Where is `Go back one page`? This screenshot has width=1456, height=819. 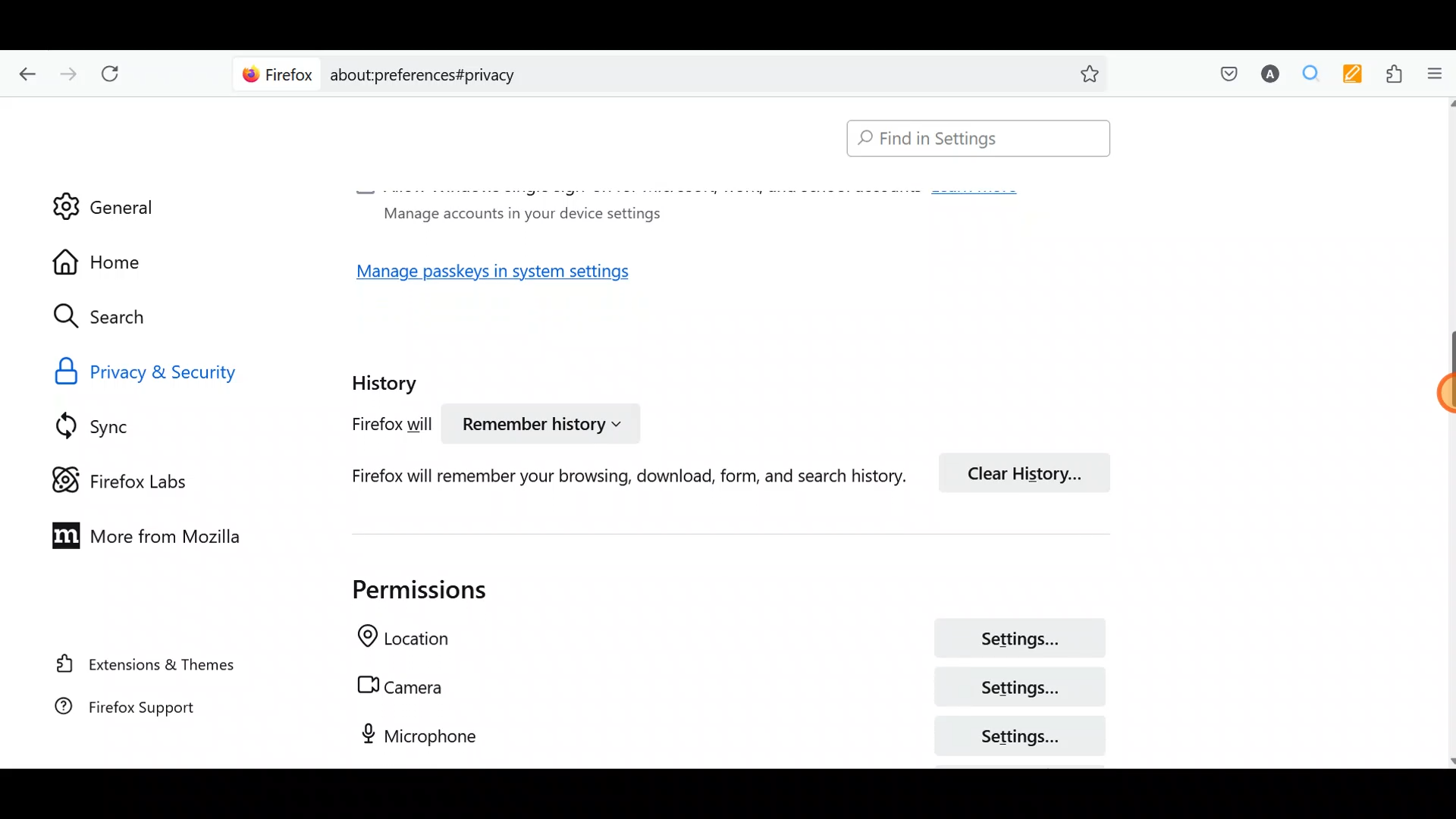
Go back one page is located at coordinates (24, 72).